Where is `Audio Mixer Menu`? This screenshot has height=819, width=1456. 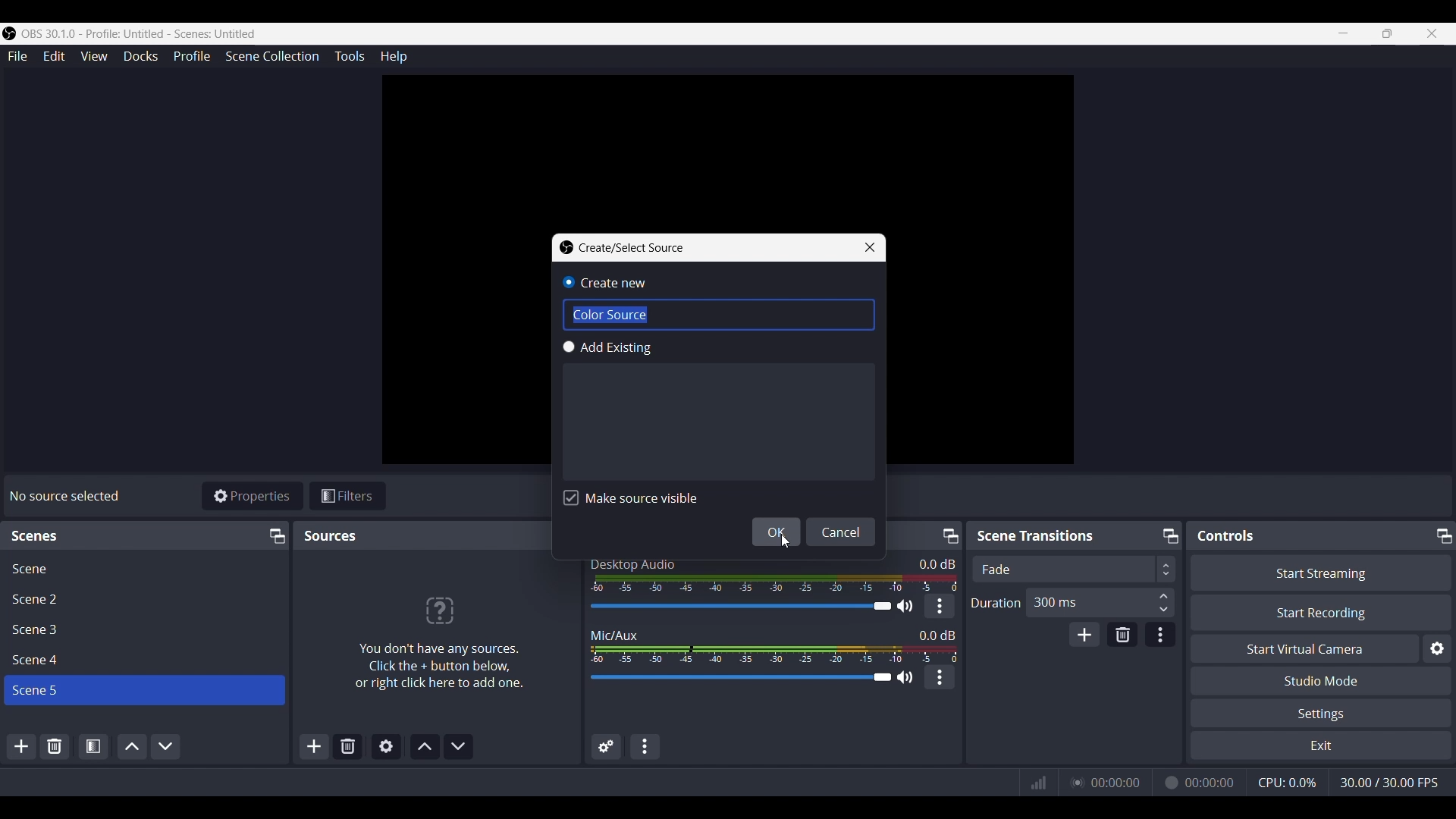
Audio Mixer Menu is located at coordinates (645, 746).